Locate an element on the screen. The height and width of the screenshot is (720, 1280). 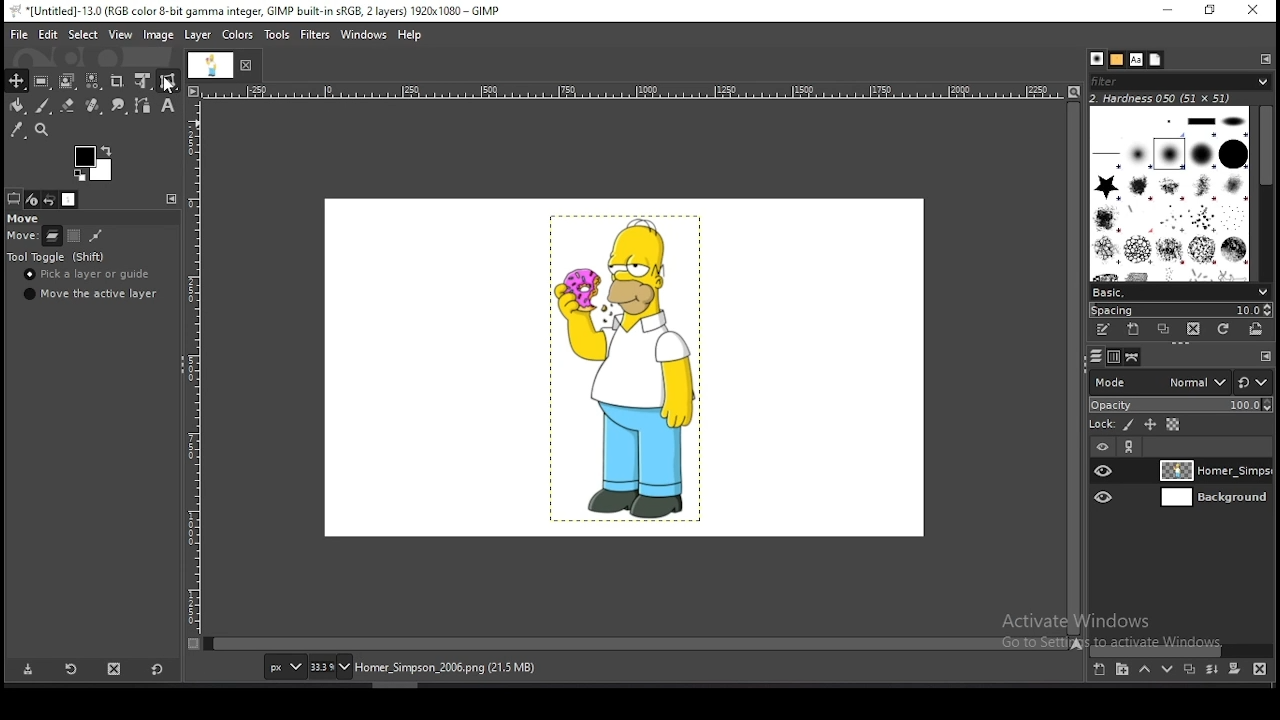
delete tool preset is located at coordinates (116, 670).